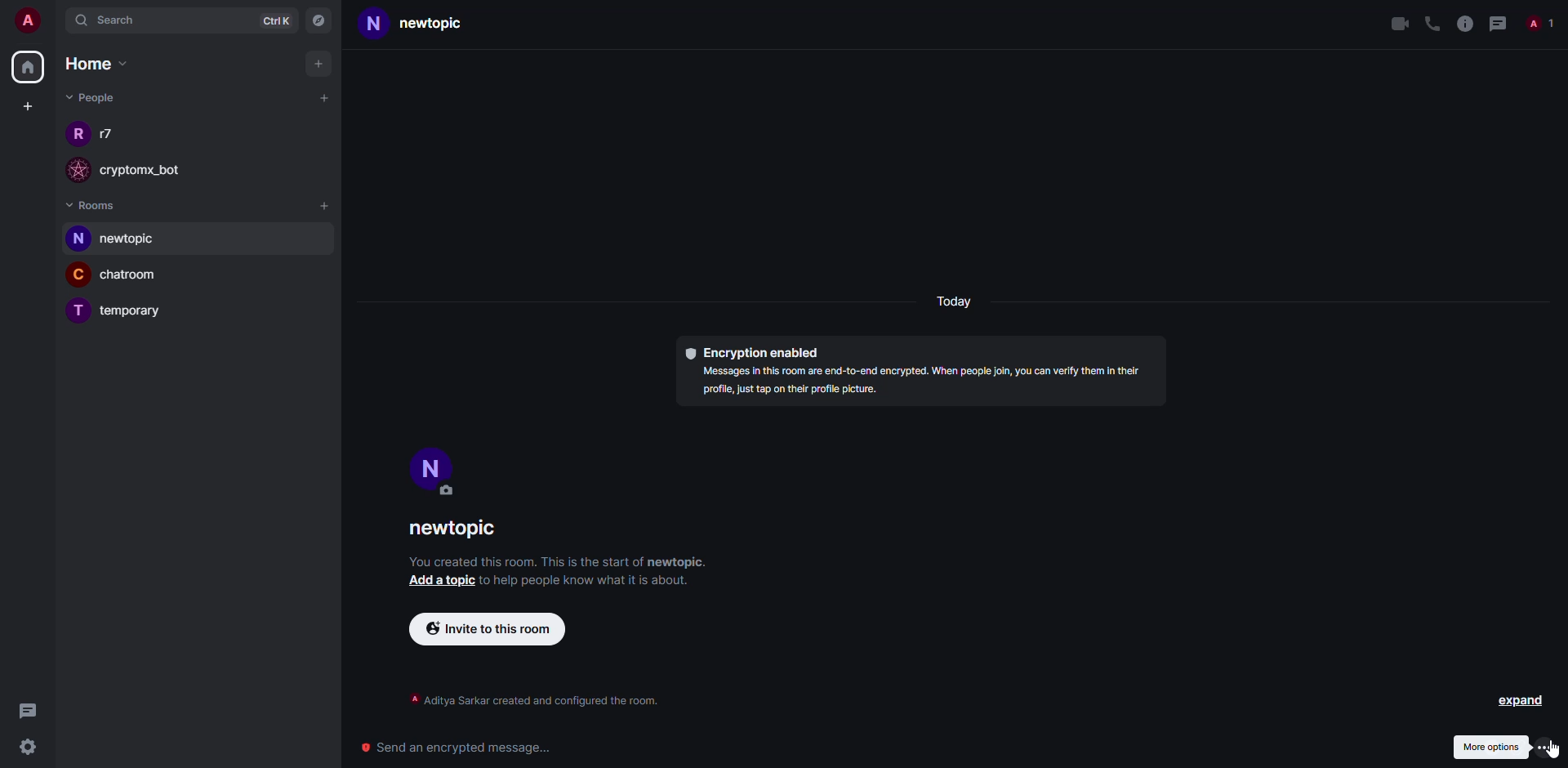 Image resolution: width=1568 pixels, height=768 pixels. I want to click on room, so click(454, 530).